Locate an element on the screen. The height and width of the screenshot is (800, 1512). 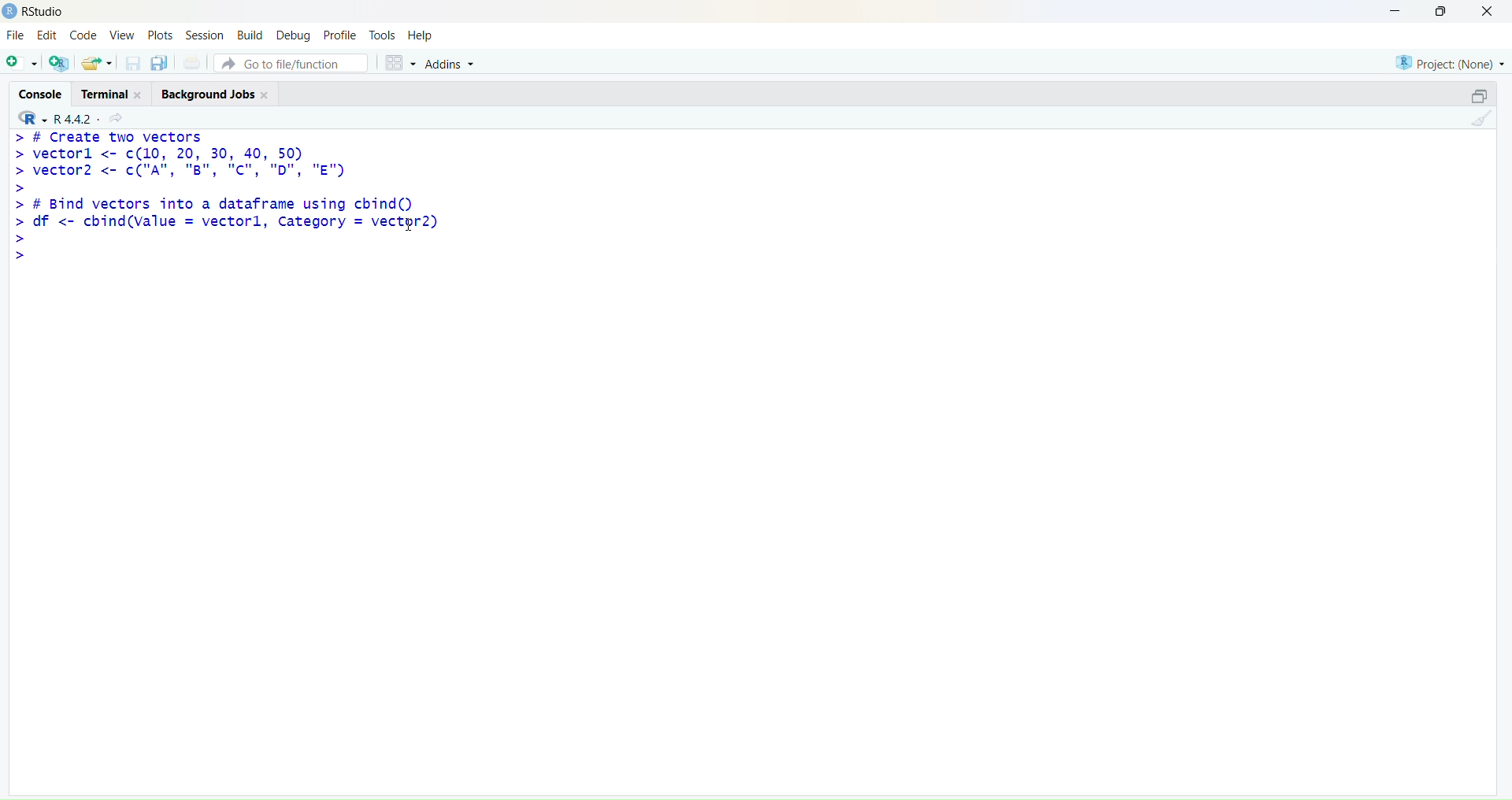
Help is located at coordinates (421, 35).